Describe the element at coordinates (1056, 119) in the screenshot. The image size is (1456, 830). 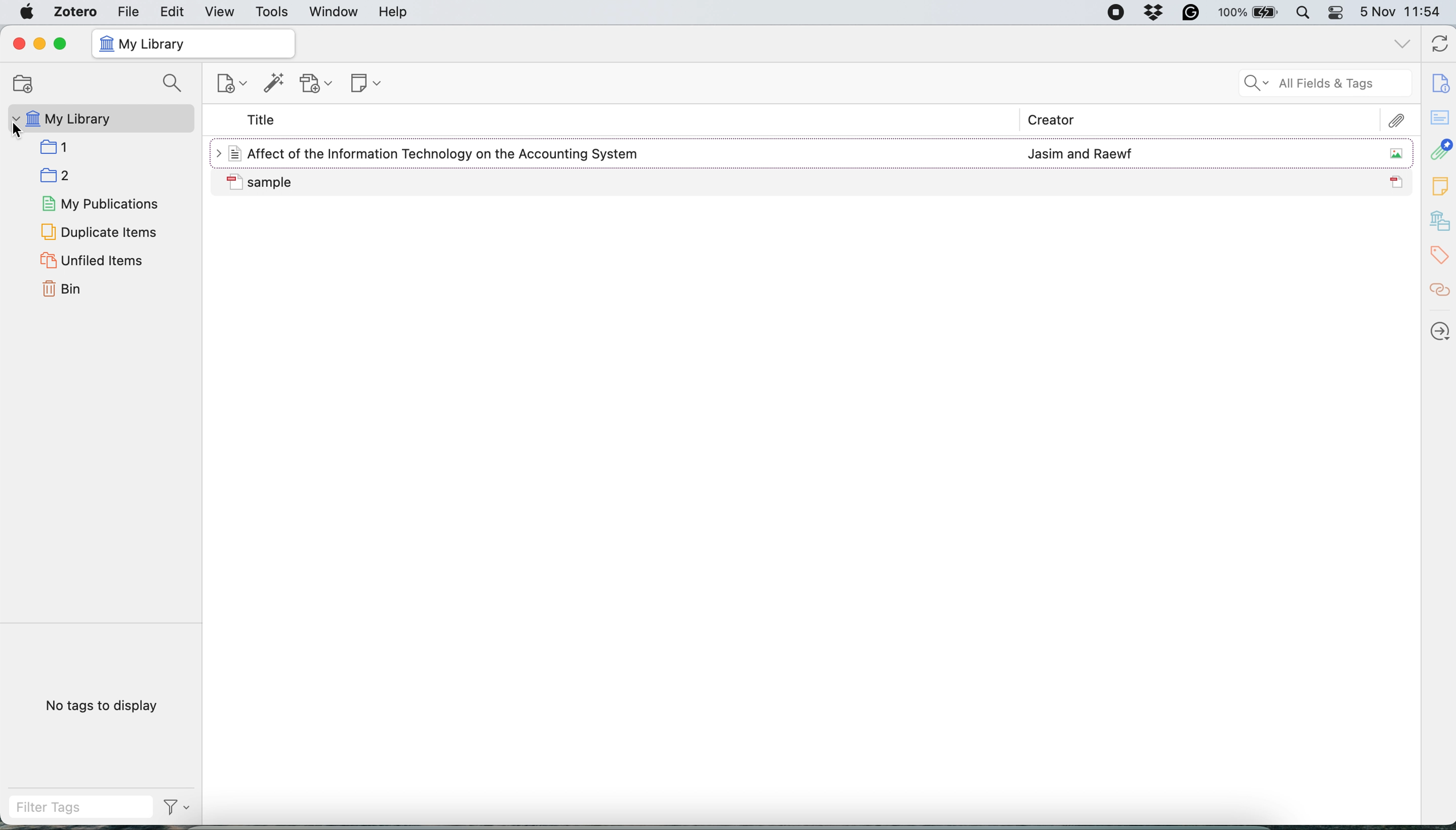
I see `creator` at that location.